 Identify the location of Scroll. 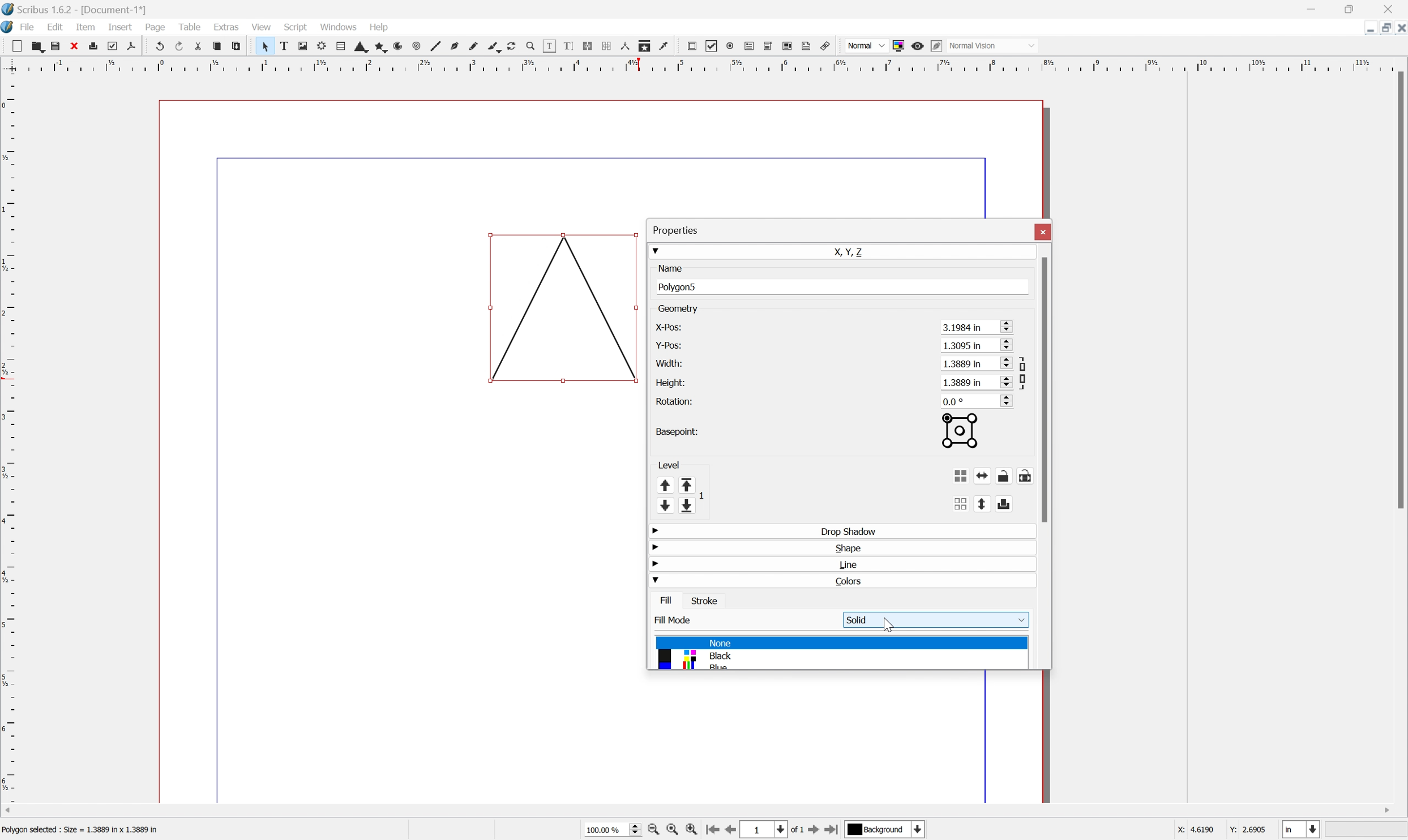
(1020, 346).